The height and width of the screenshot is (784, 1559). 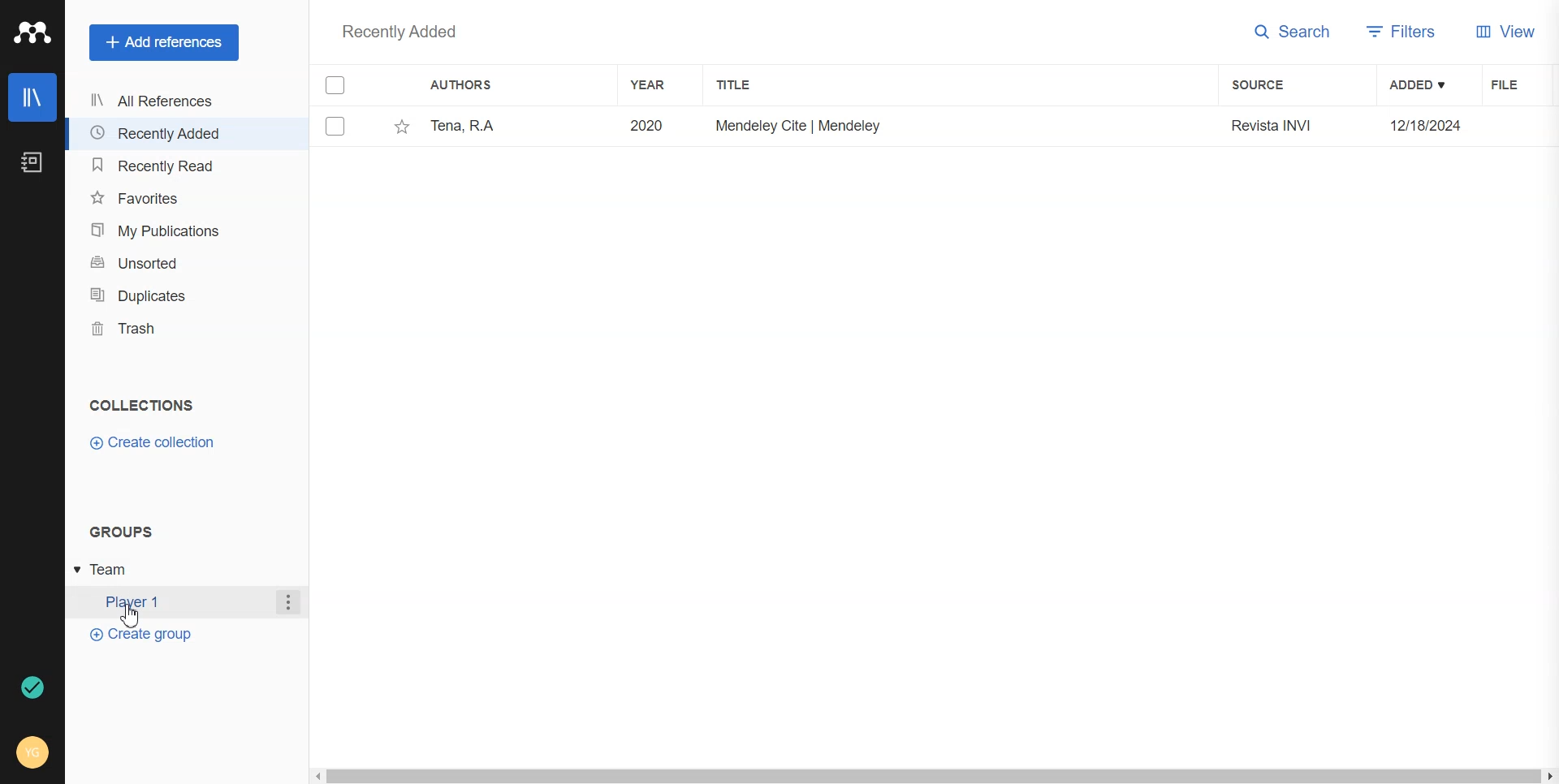 I want to click on Checkmarks, so click(x=336, y=84).